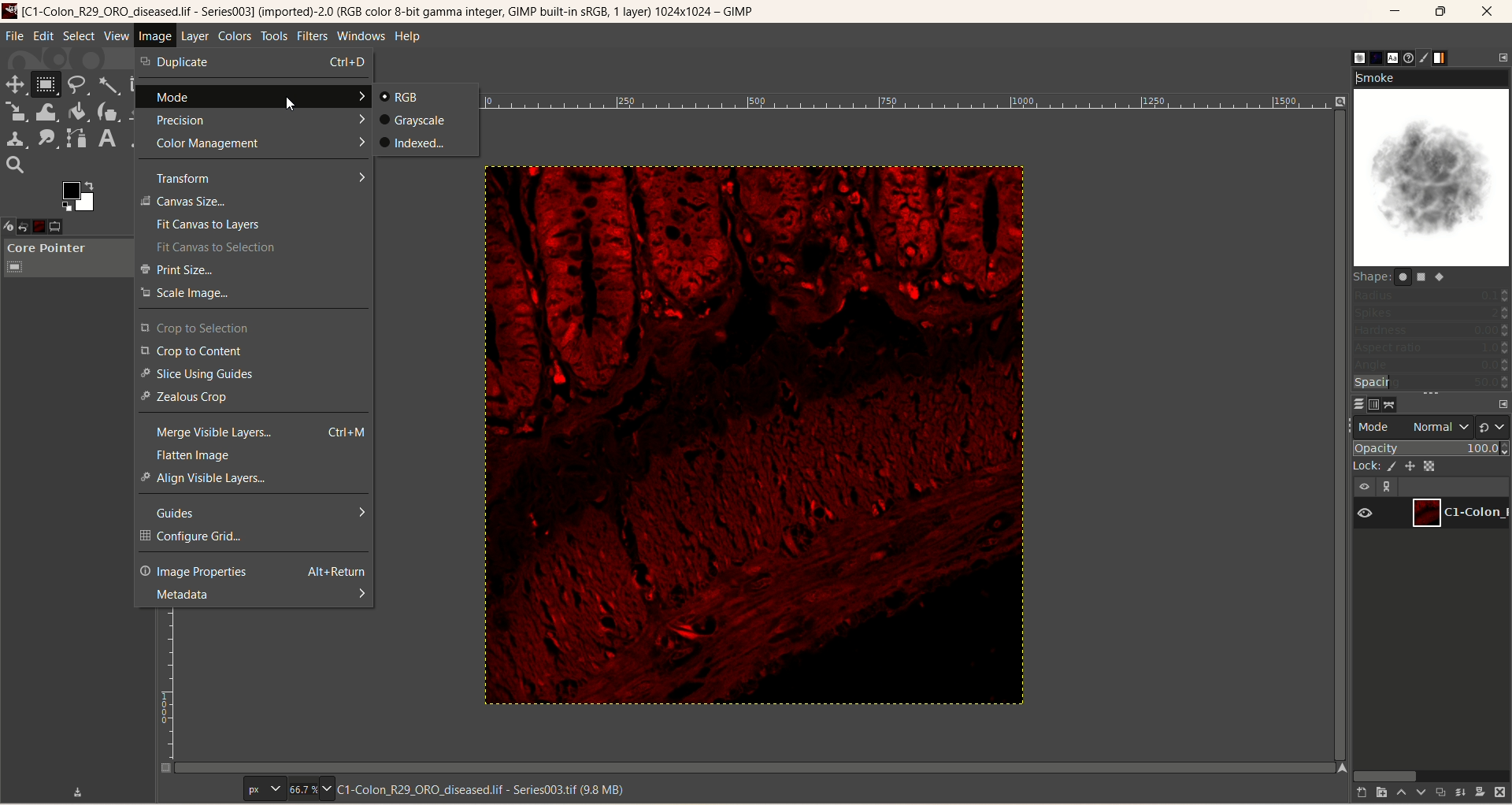 The height and width of the screenshot is (805, 1512). What do you see at coordinates (361, 36) in the screenshot?
I see `windows` at bounding box center [361, 36].